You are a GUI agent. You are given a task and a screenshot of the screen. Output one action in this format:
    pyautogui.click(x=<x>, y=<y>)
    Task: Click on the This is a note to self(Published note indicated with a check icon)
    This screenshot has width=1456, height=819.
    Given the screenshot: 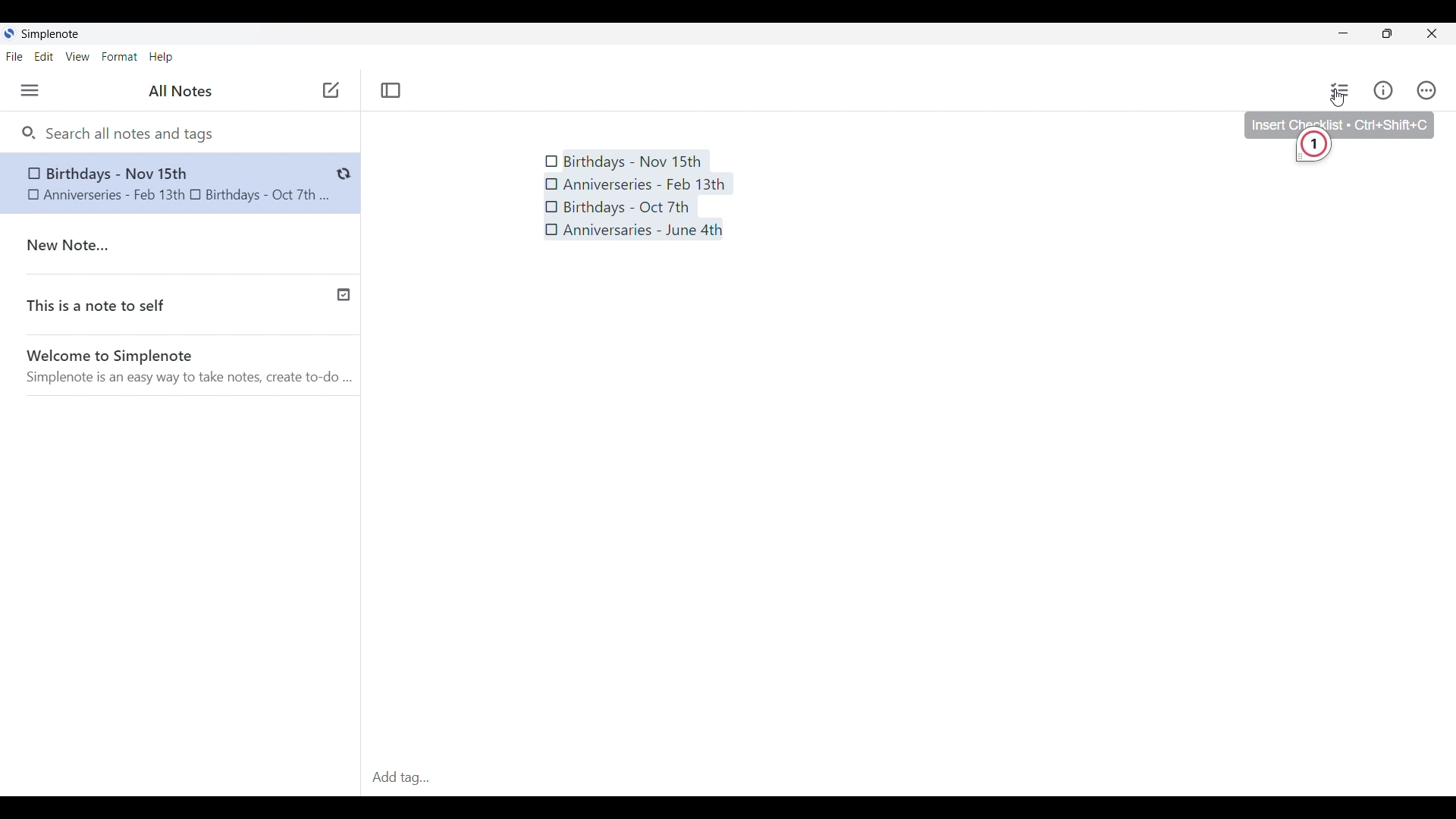 What is the action you would take?
    pyautogui.click(x=181, y=309)
    